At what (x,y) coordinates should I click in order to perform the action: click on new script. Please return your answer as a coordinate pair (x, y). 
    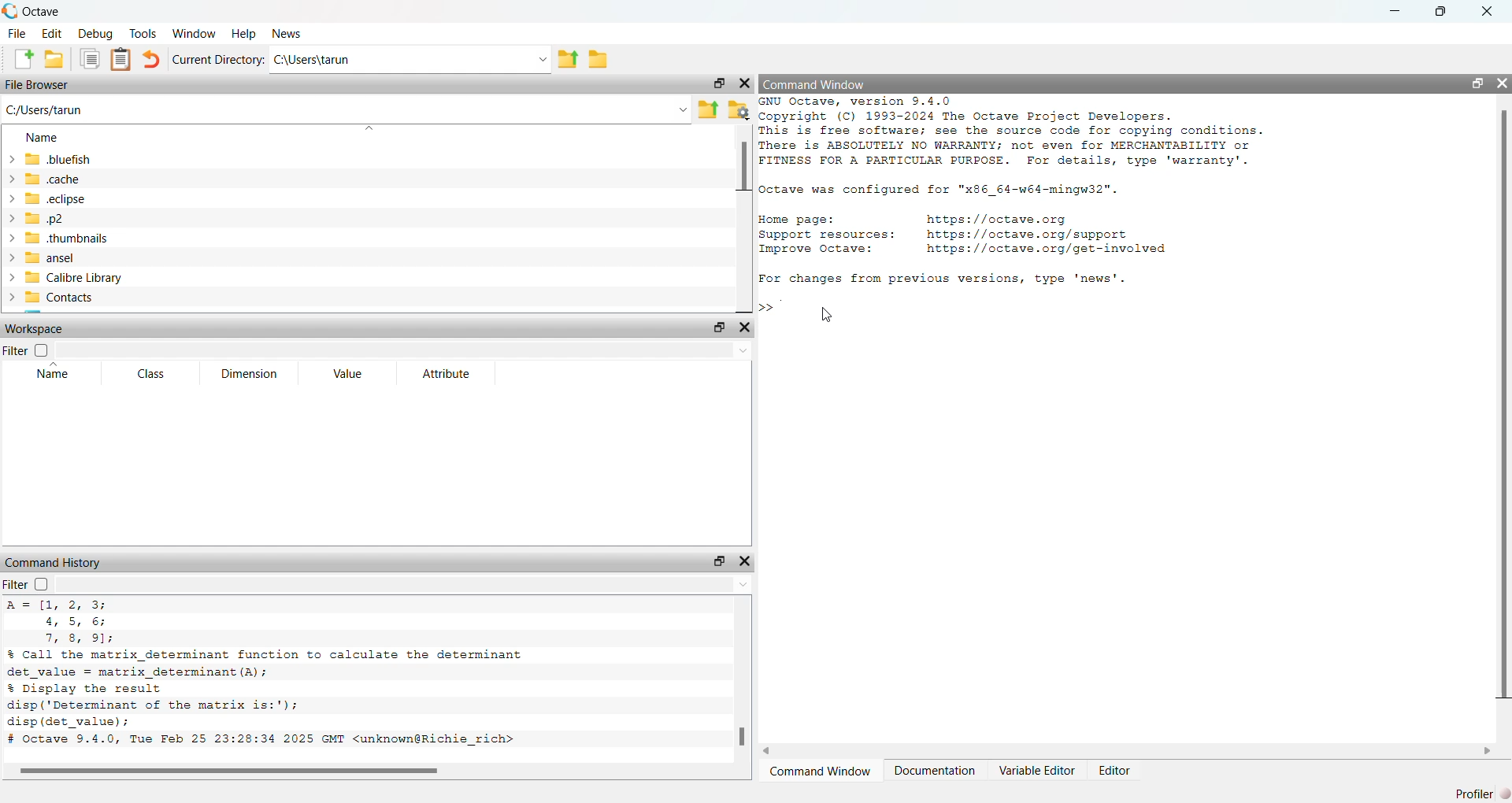
    Looking at the image, I should click on (24, 60).